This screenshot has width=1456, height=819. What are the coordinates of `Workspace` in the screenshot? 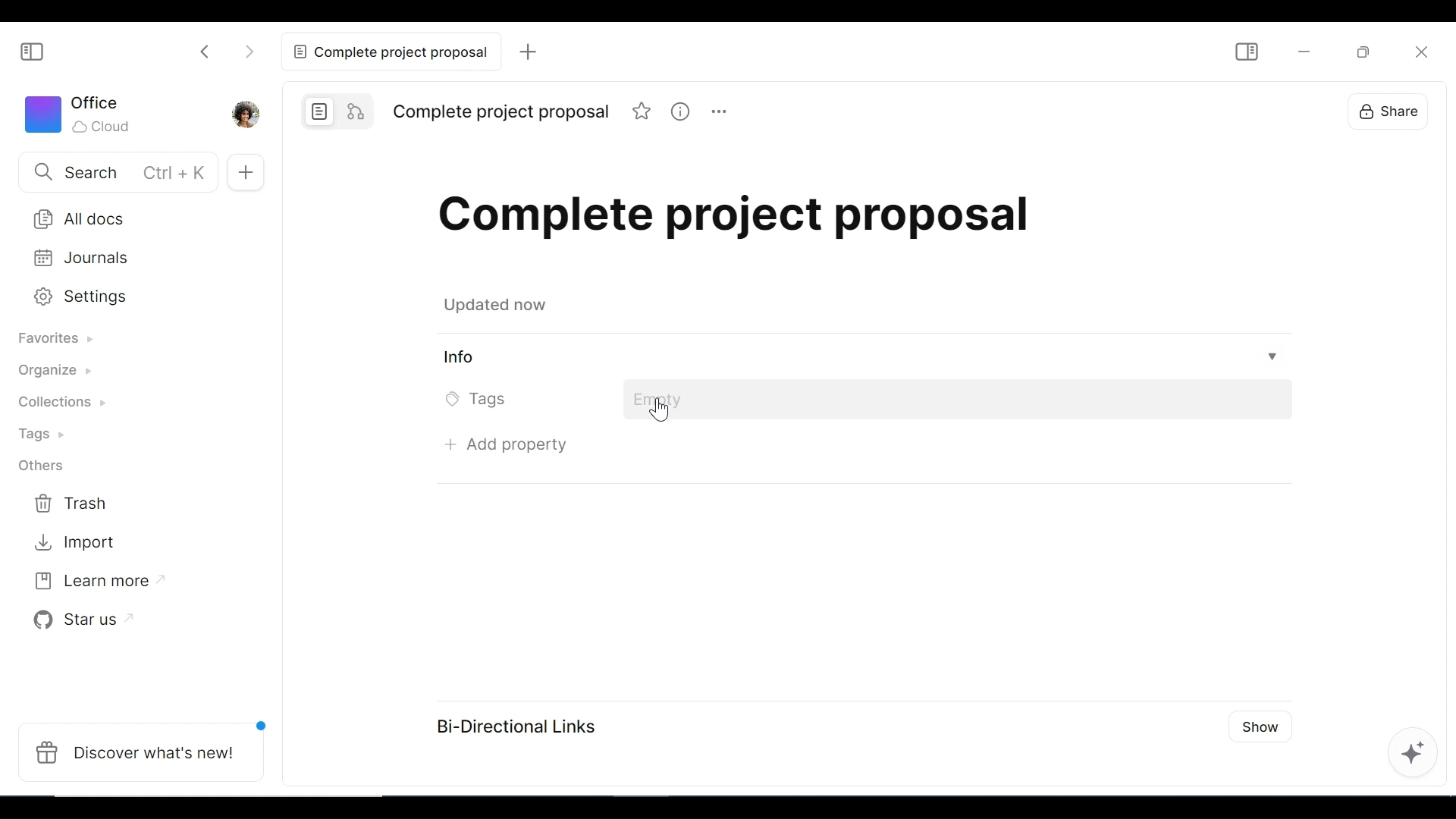 It's located at (83, 115).